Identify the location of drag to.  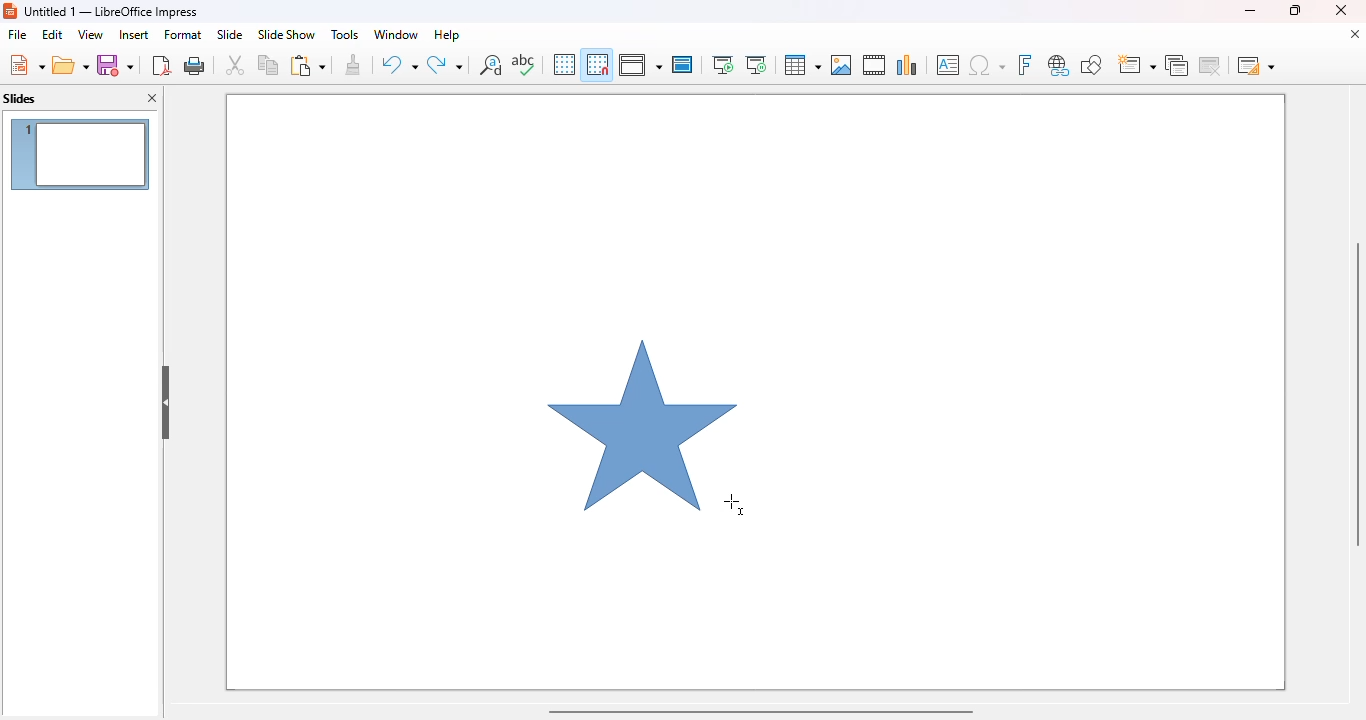
(736, 505).